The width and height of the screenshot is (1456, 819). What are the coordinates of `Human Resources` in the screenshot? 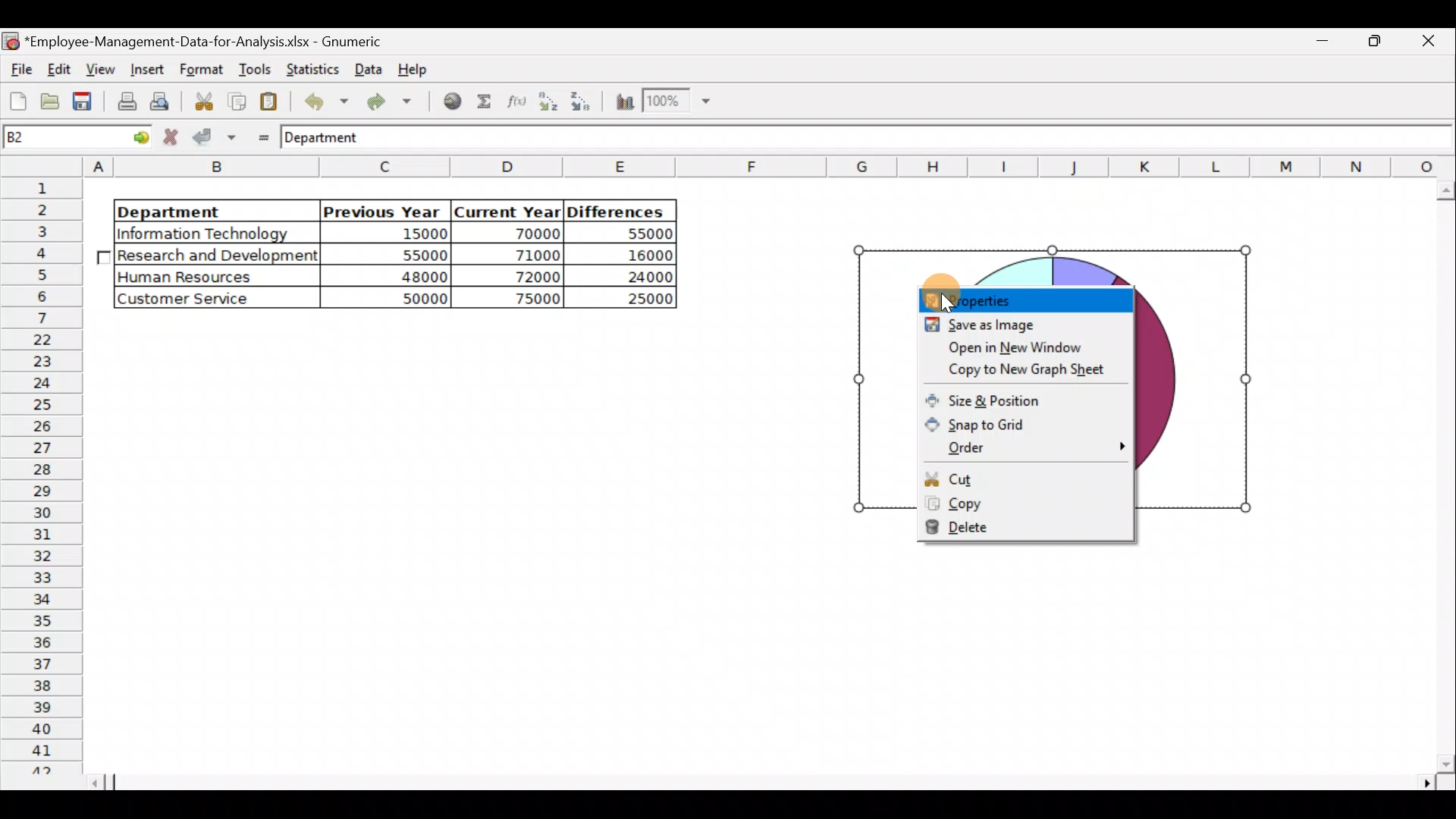 It's located at (196, 278).